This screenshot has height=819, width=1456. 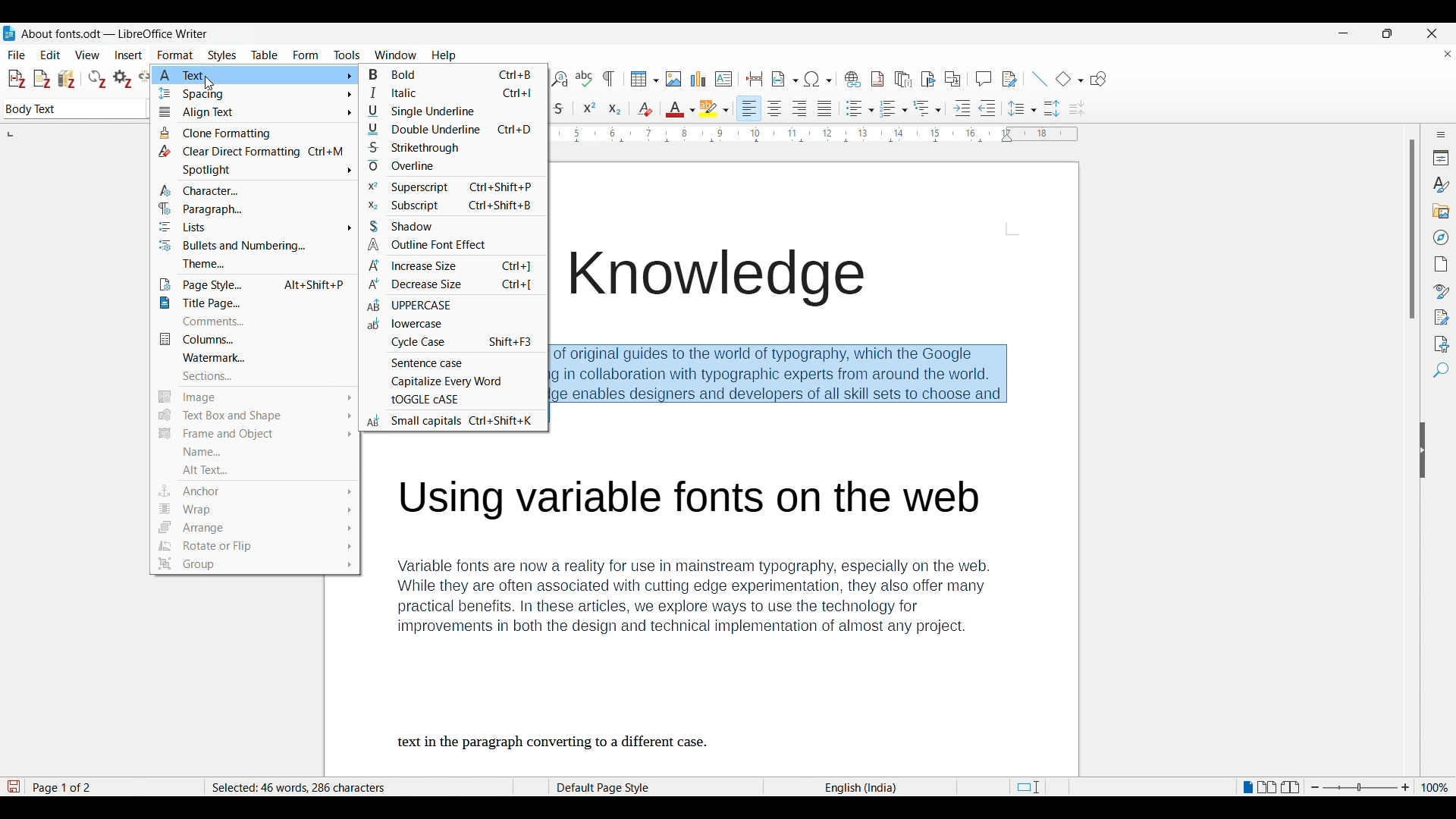 I want to click on Anchor, so click(x=258, y=490).